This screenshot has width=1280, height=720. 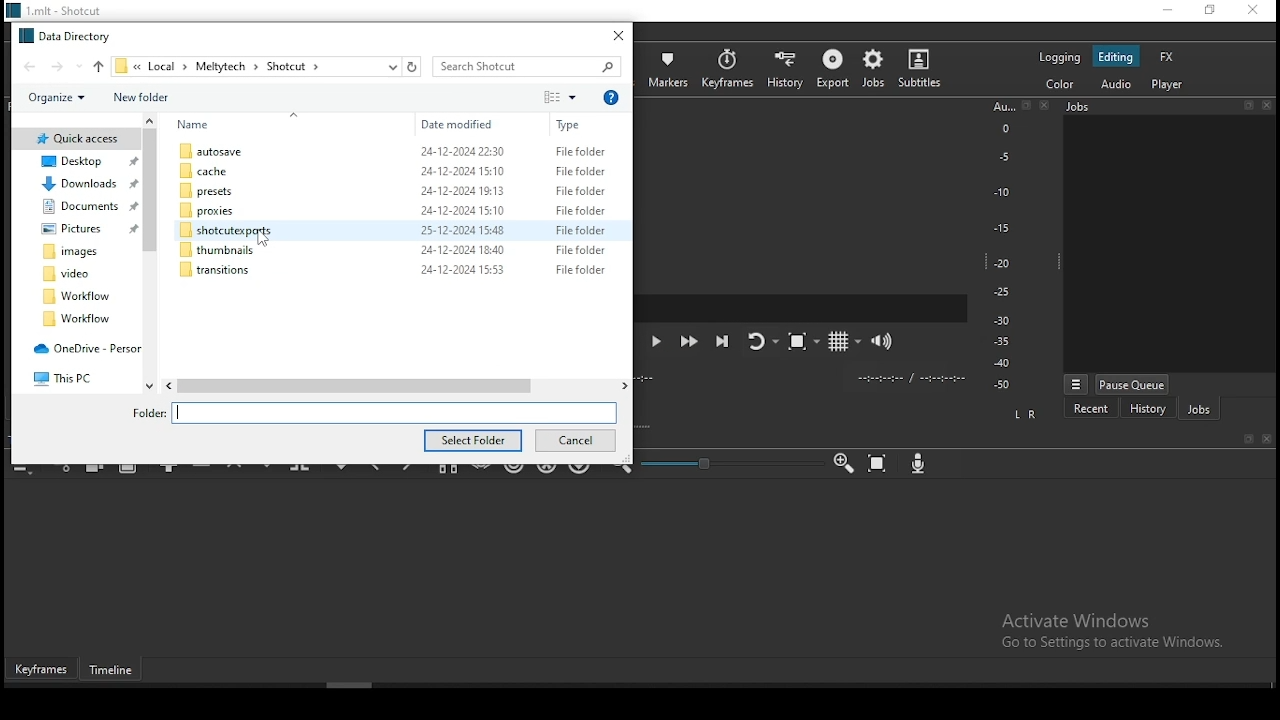 I want to click on file path, so click(x=222, y=66).